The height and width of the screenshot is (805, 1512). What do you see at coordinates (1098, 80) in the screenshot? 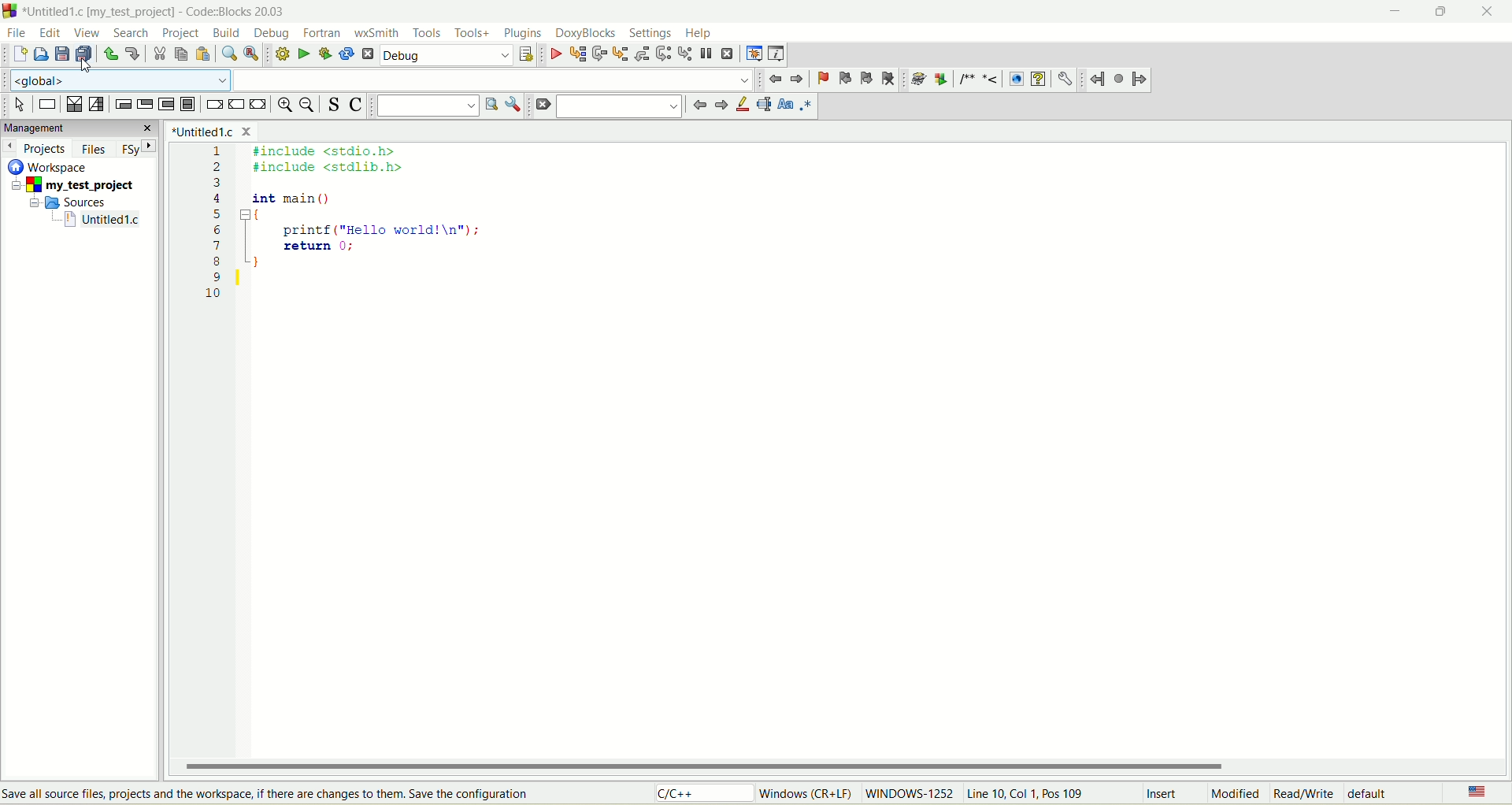
I see `jump back` at bounding box center [1098, 80].